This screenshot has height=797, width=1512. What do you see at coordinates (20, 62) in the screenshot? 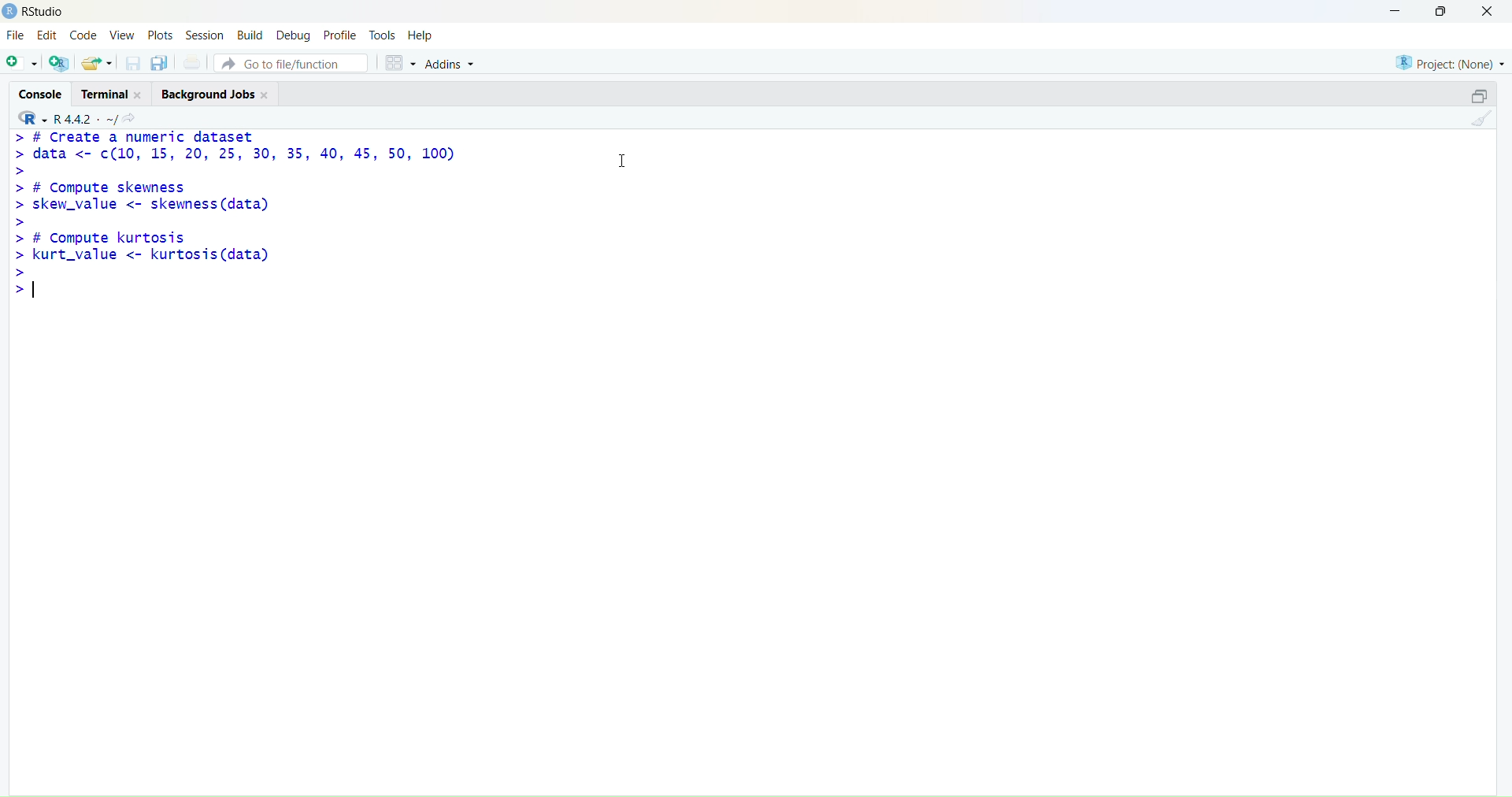
I see `New File` at bounding box center [20, 62].